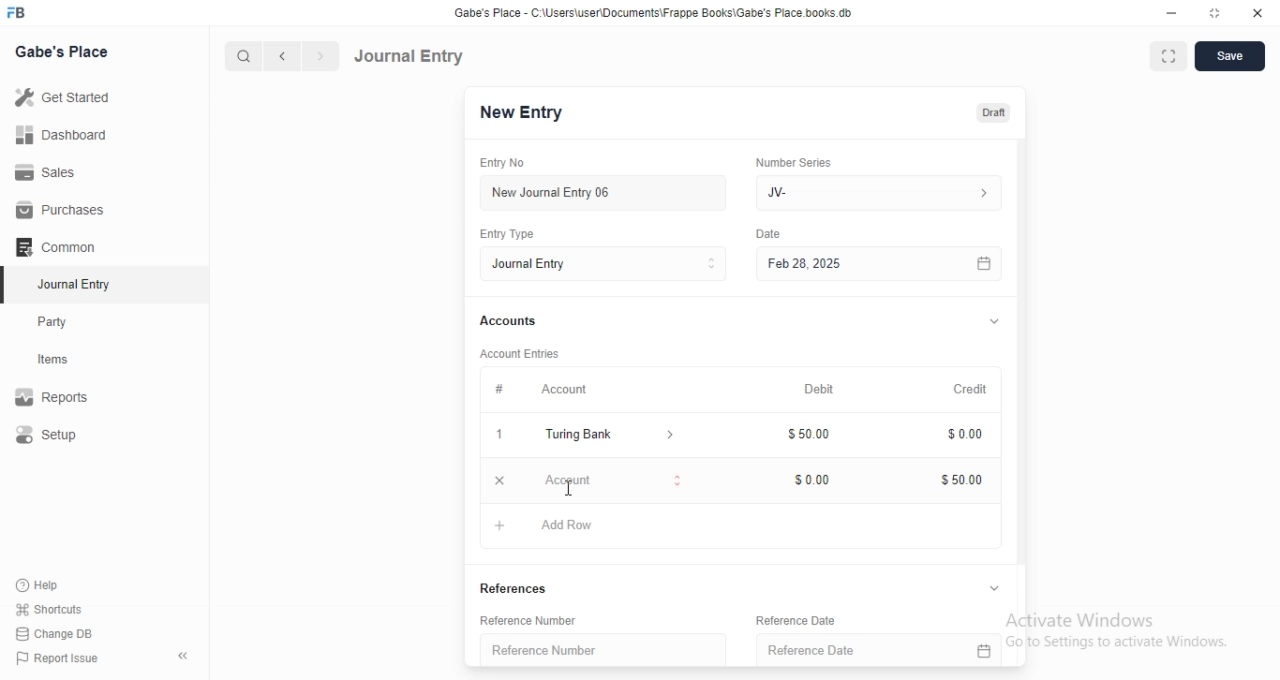 This screenshot has width=1280, height=680. I want to click on New Journal Entry 06, so click(597, 191).